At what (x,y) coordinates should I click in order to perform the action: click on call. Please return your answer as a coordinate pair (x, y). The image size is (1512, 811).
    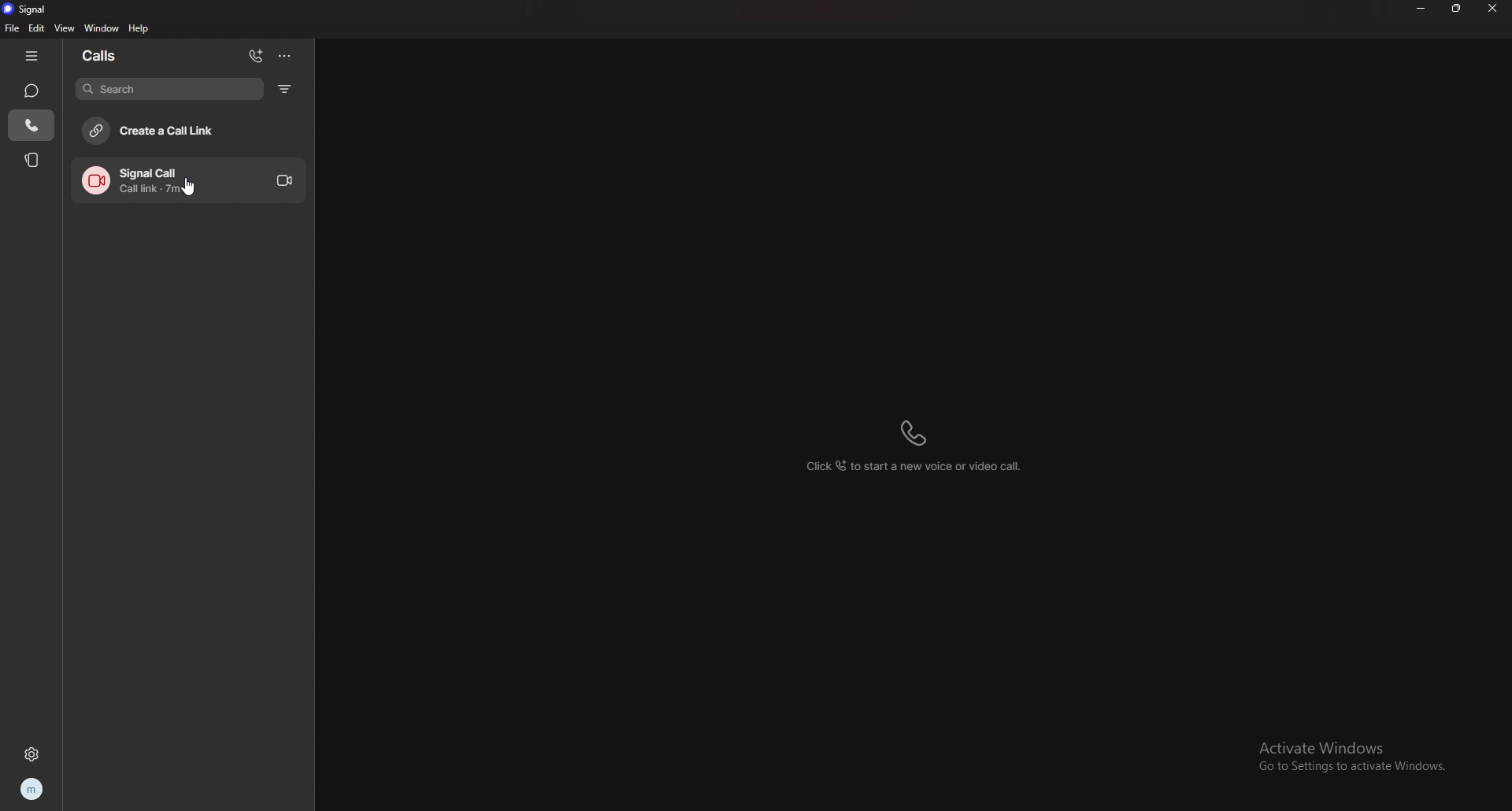
    Looking at the image, I should click on (187, 180).